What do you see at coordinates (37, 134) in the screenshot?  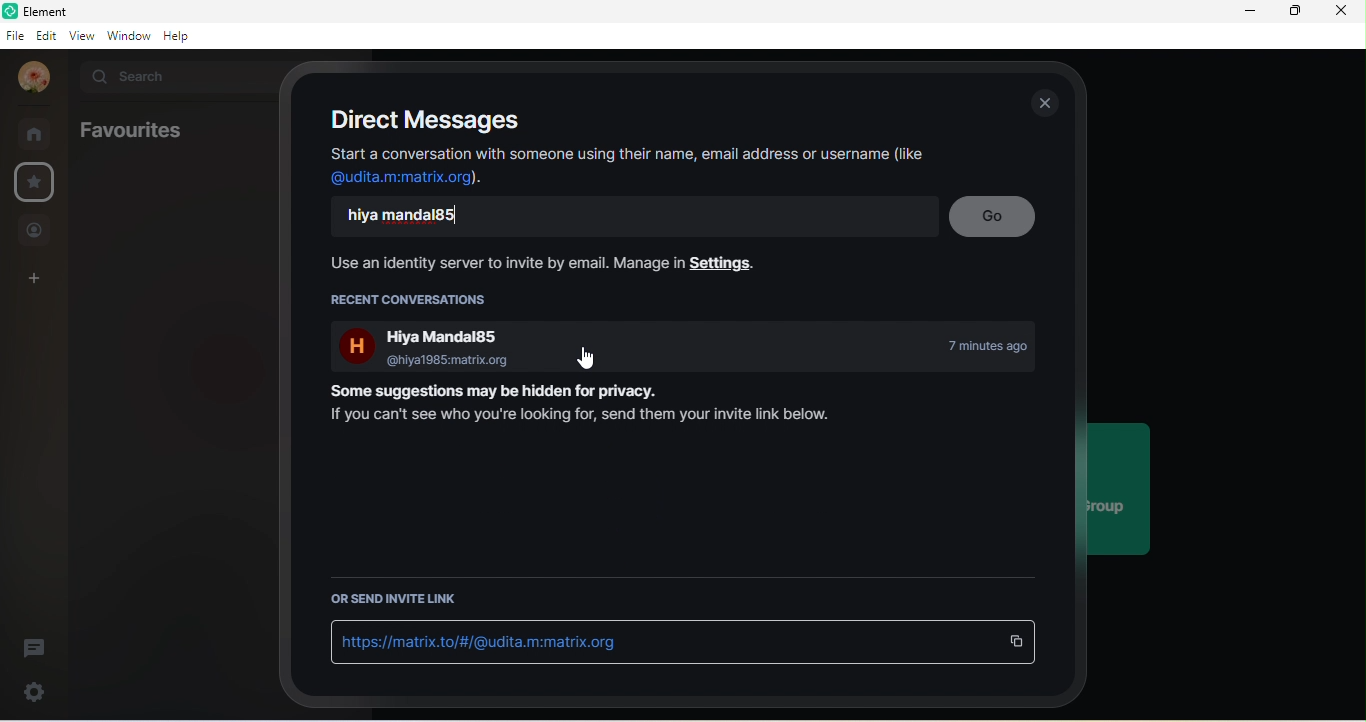 I see `rooms` at bounding box center [37, 134].